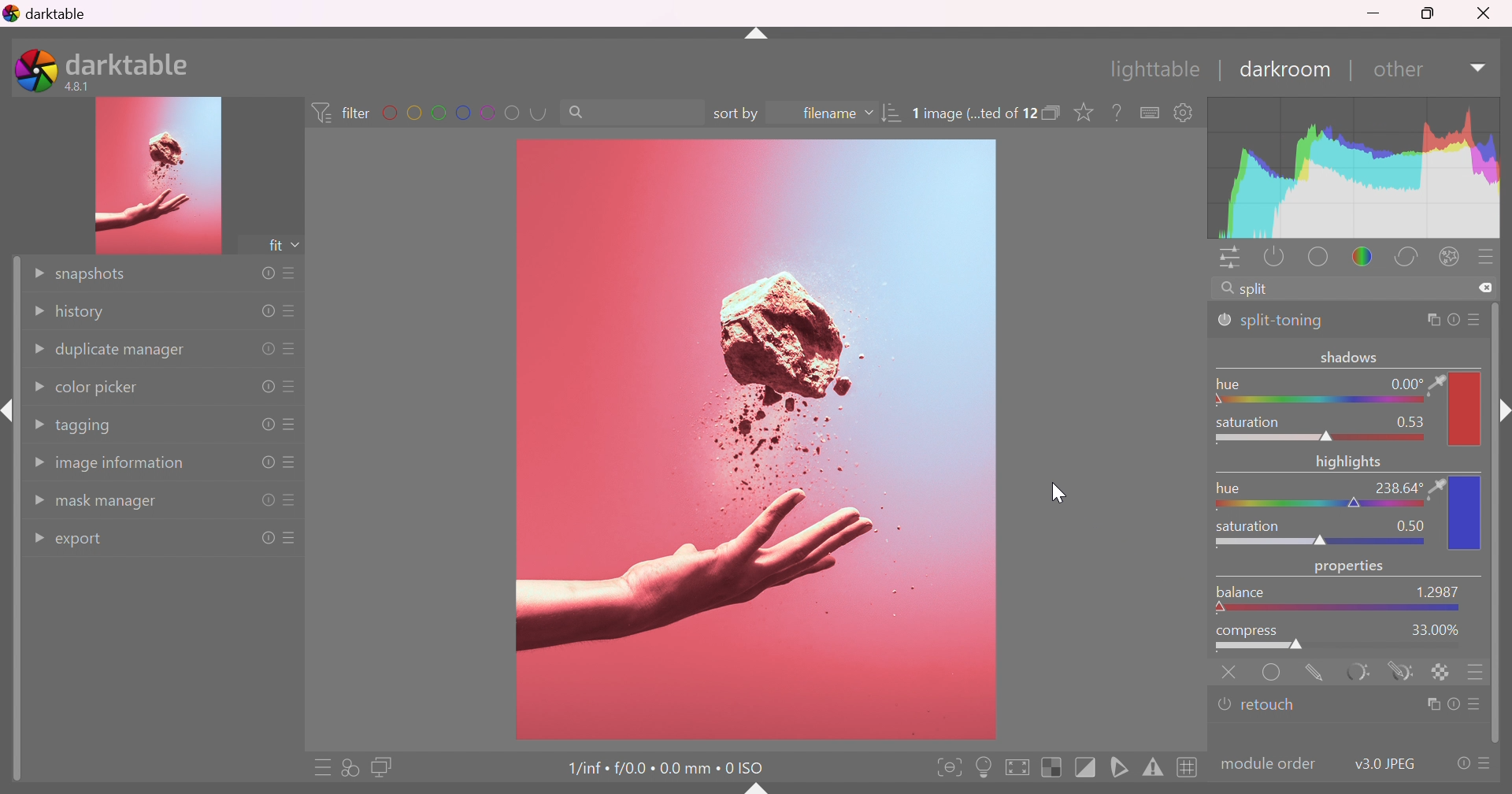  What do you see at coordinates (985, 766) in the screenshot?
I see `toggle ISO 12646 color assessment conditions` at bounding box center [985, 766].